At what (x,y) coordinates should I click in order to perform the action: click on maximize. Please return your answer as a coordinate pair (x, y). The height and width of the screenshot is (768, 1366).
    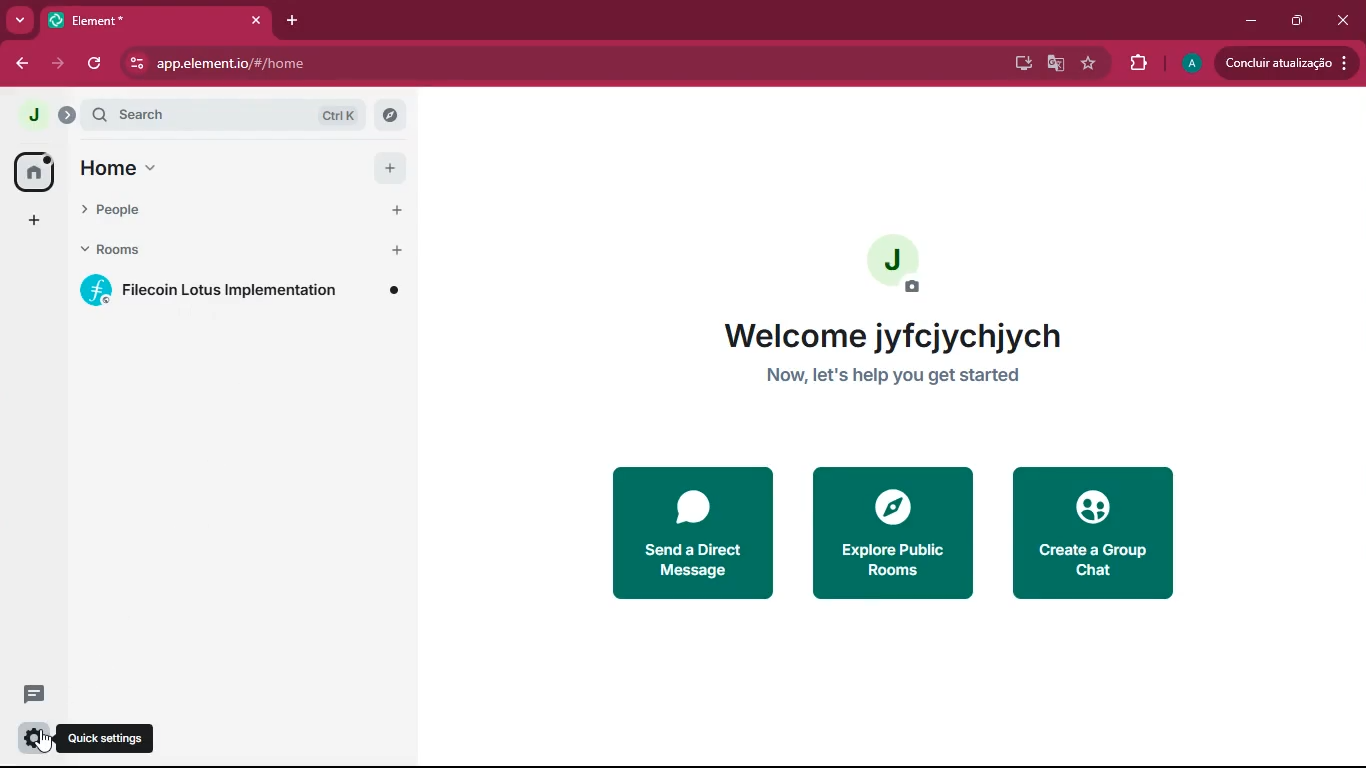
    Looking at the image, I should click on (1298, 20).